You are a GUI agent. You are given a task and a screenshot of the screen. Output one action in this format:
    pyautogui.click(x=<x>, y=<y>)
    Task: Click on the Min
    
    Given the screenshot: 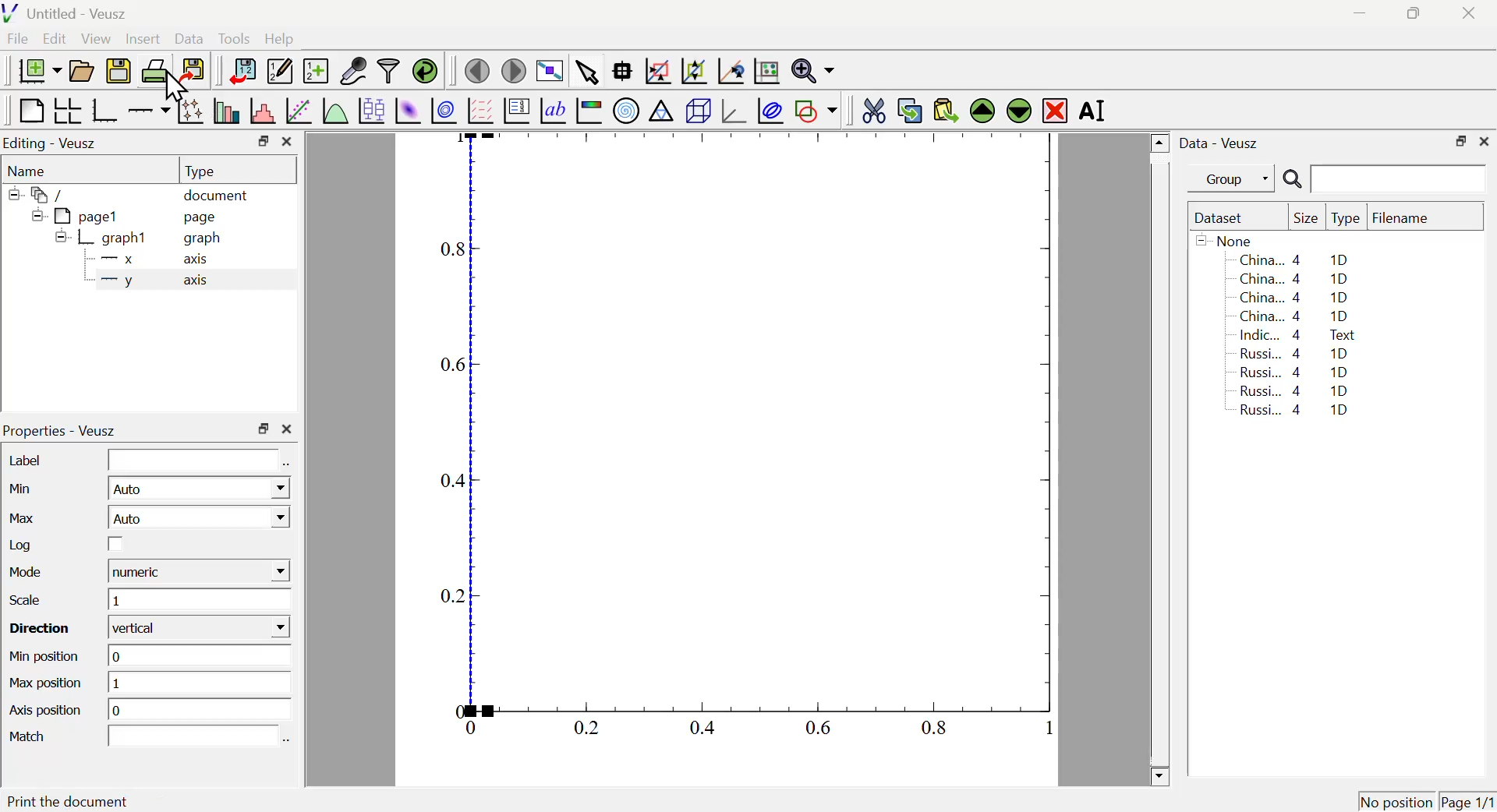 What is the action you would take?
    pyautogui.click(x=26, y=489)
    